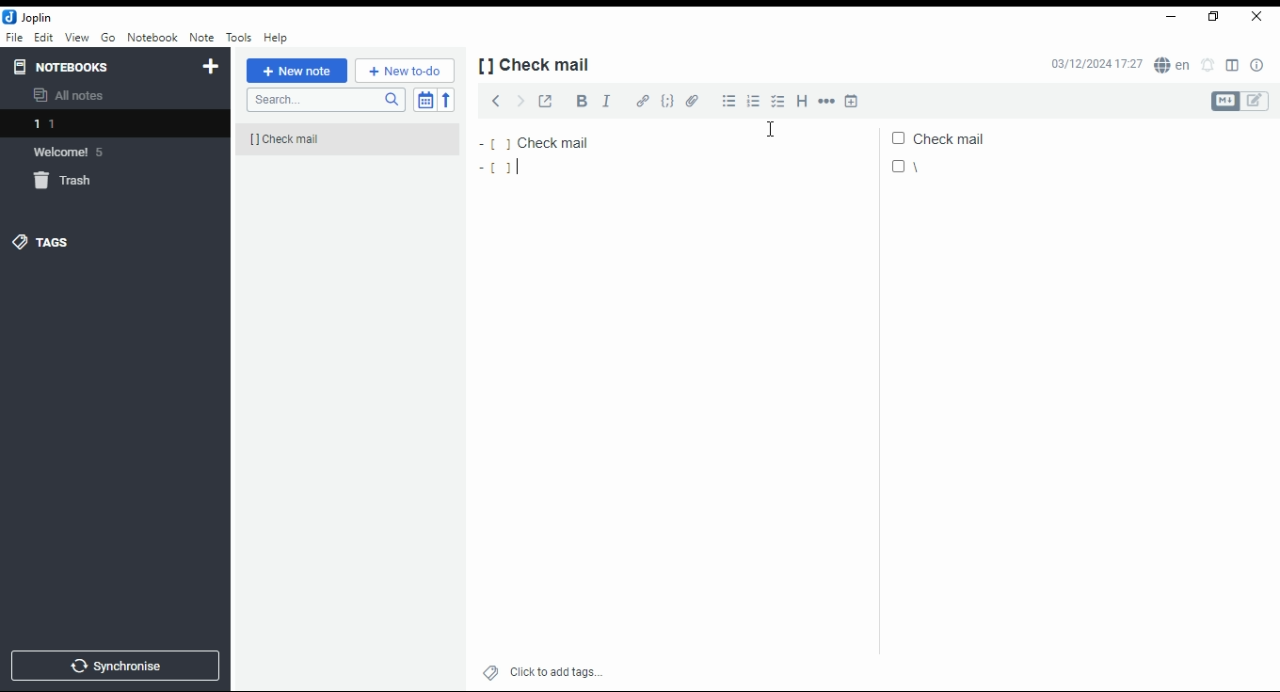  Describe the element at coordinates (727, 101) in the screenshot. I see `bulleted list` at that location.